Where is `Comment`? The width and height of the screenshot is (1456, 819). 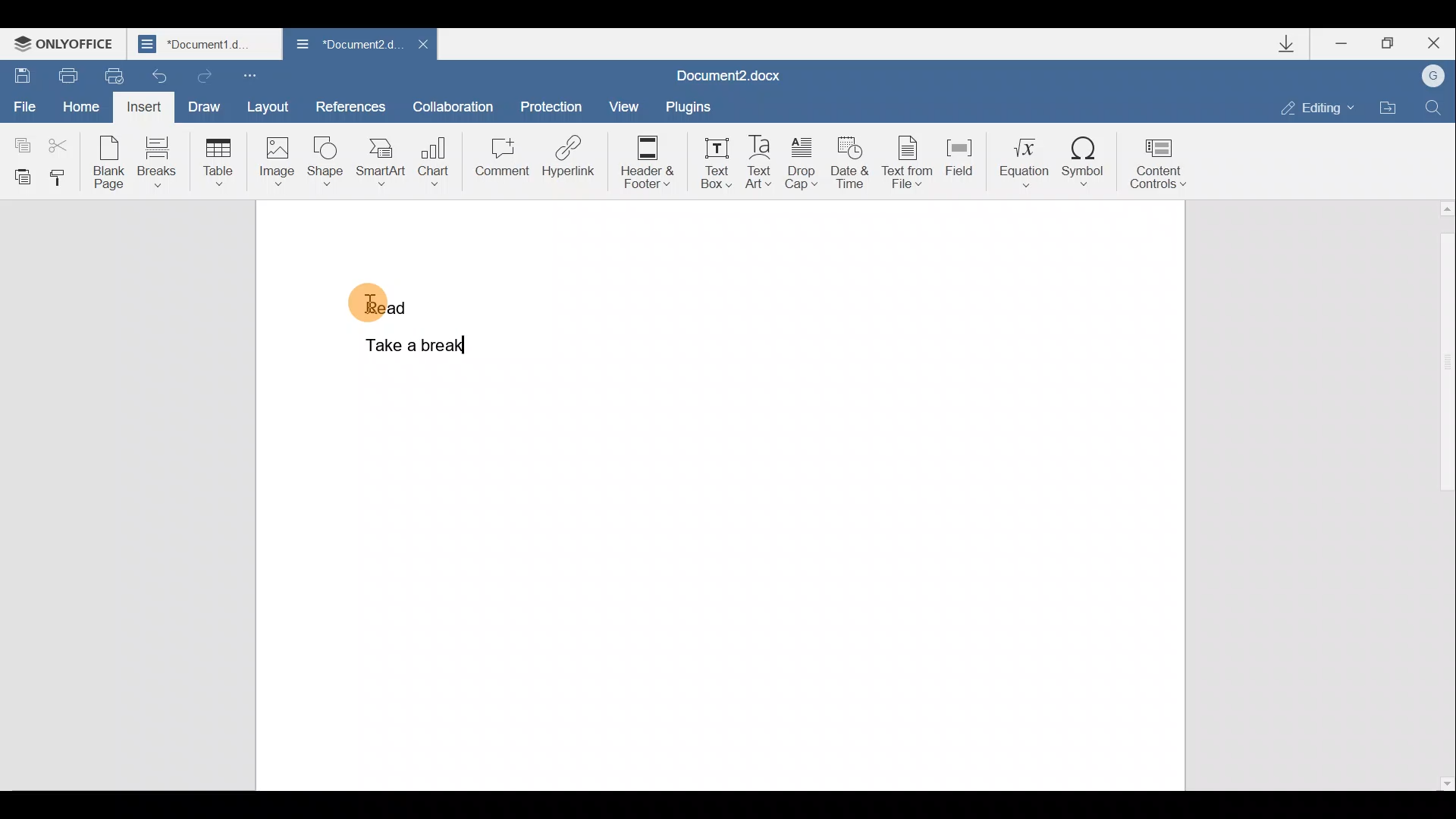 Comment is located at coordinates (501, 159).